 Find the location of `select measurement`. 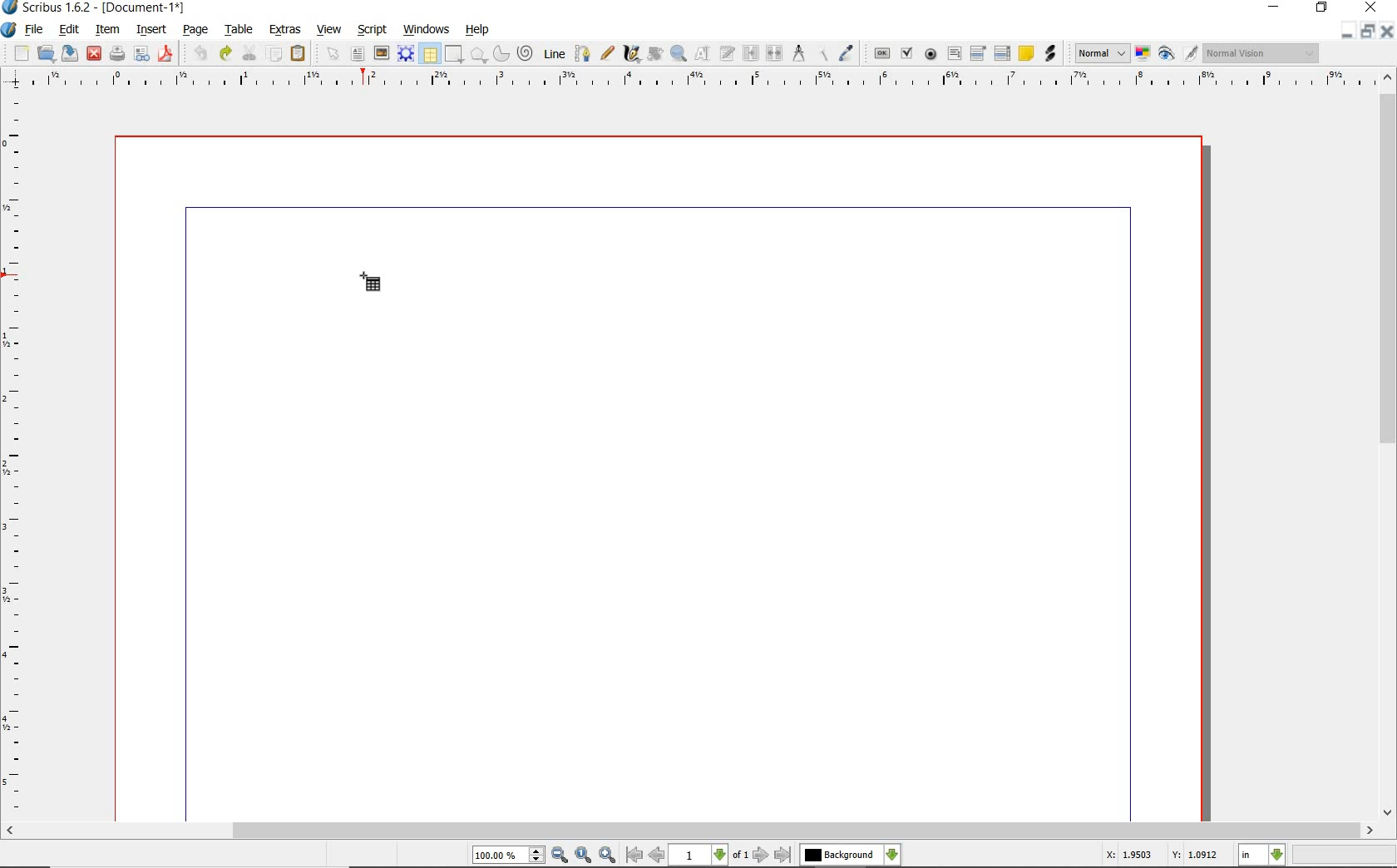

select measurement is located at coordinates (1262, 855).